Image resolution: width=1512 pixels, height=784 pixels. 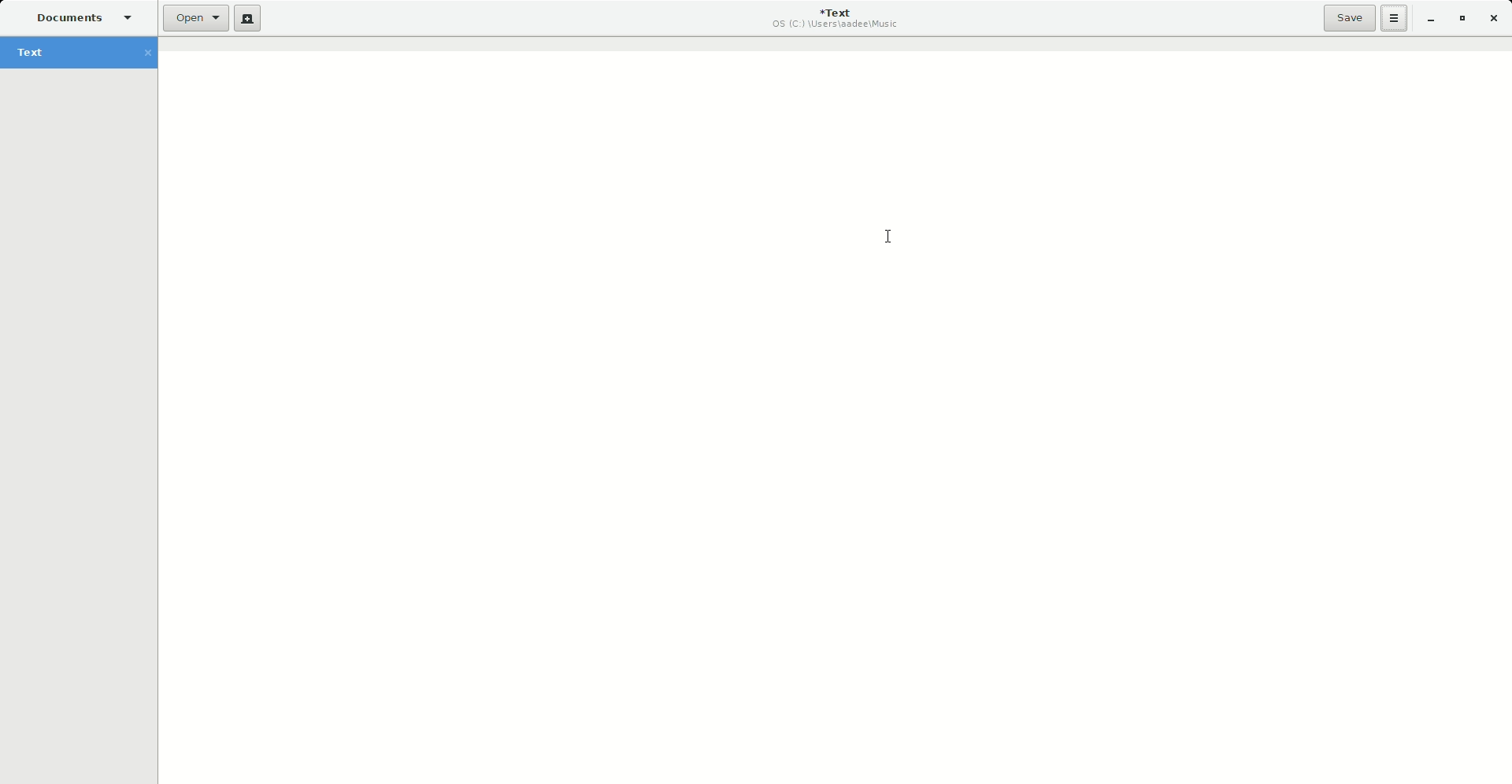 I want to click on Restore, so click(x=1461, y=18).